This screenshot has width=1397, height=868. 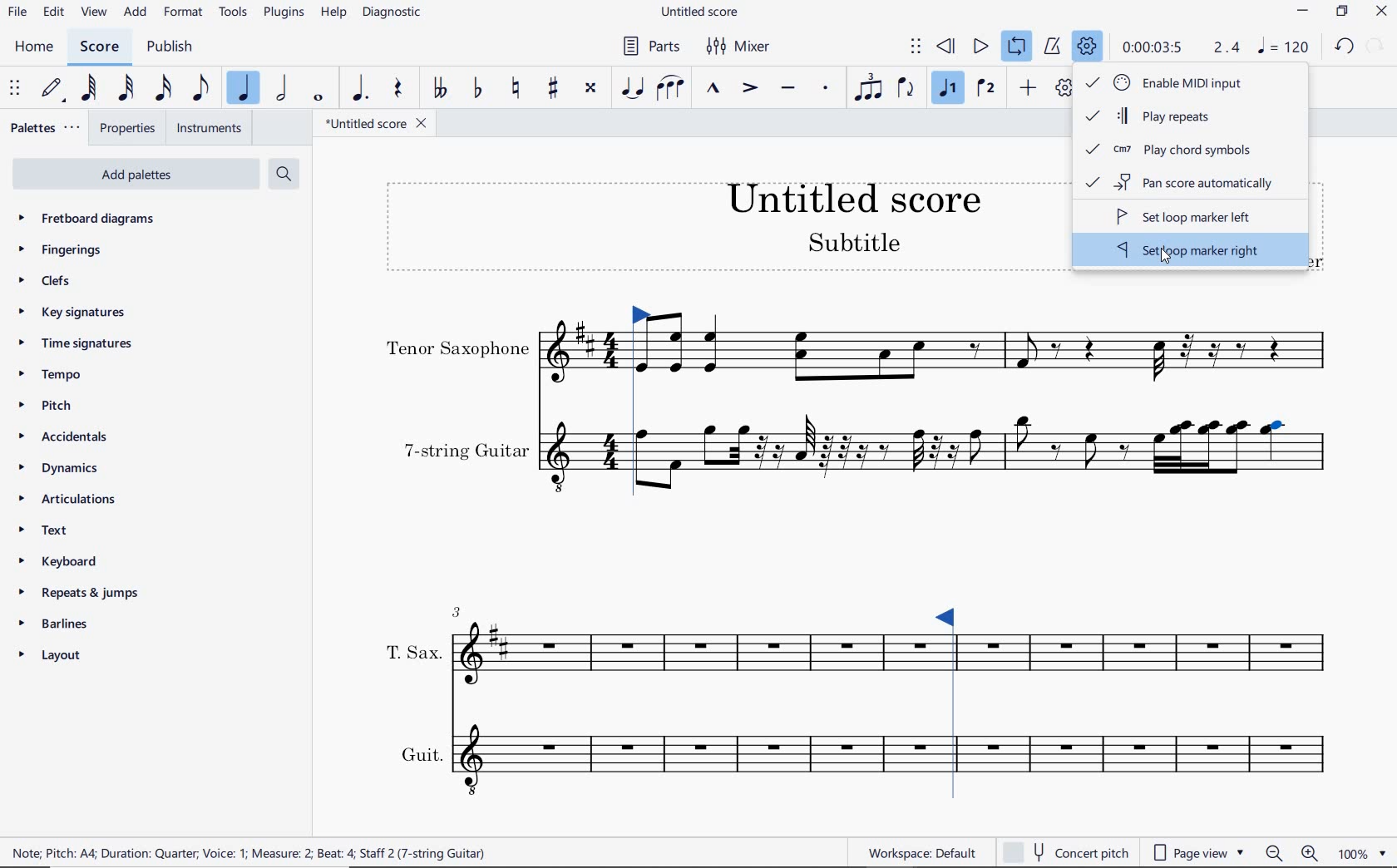 What do you see at coordinates (1182, 118) in the screenshot?
I see `play repeats` at bounding box center [1182, 118].